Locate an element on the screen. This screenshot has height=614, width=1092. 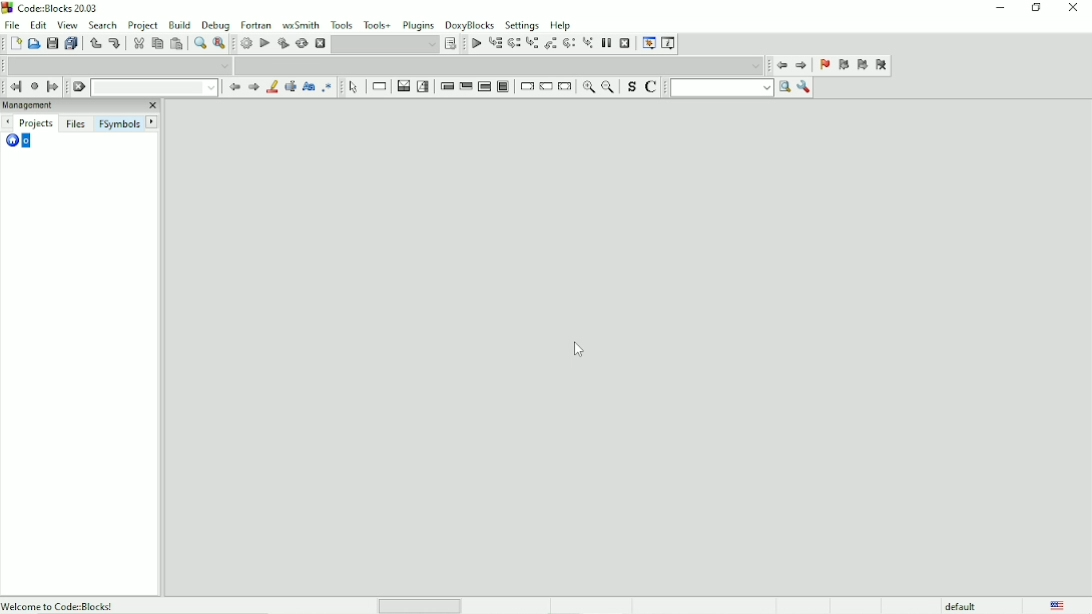
Settings is located at coordinates (522, 25).